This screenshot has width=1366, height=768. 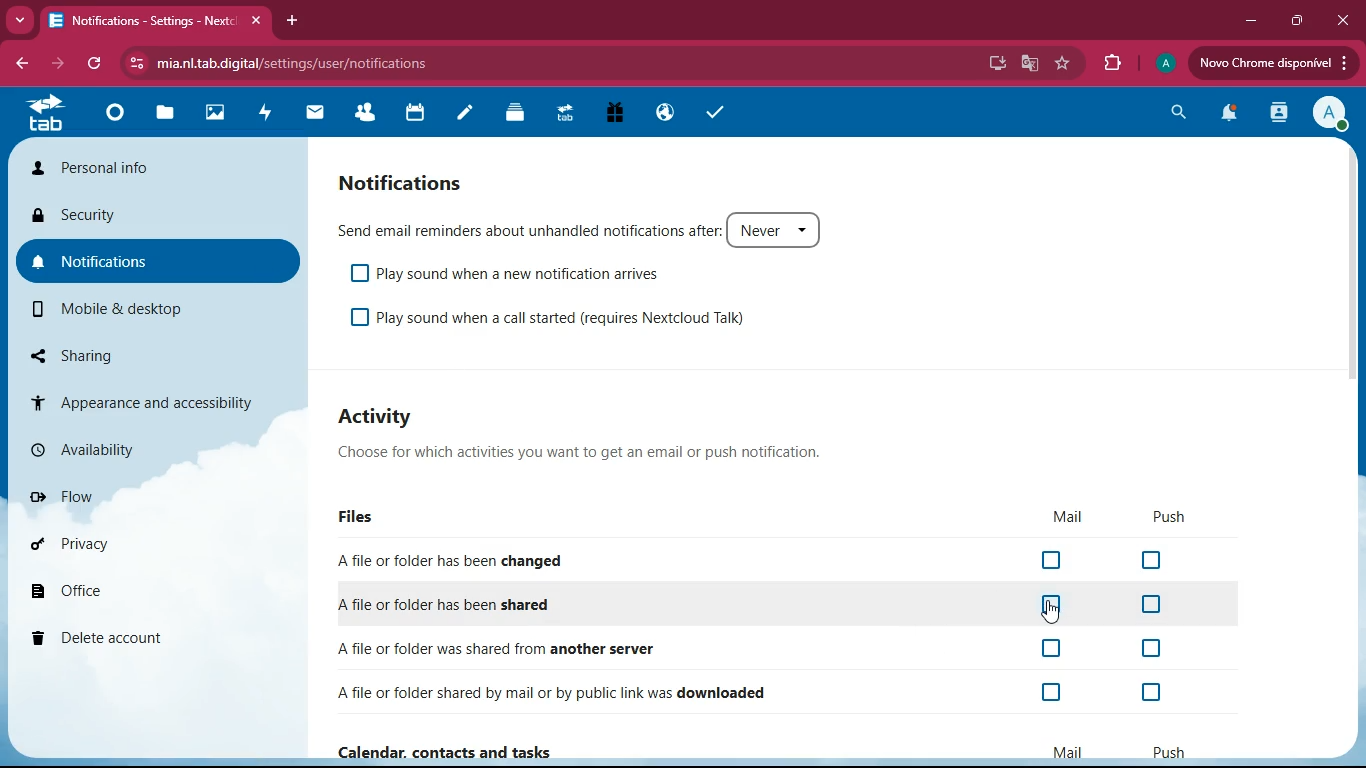 What do you see at coordinates (511, 647) in the screenshot?
I see `another server` at bounding box center [511, 647].